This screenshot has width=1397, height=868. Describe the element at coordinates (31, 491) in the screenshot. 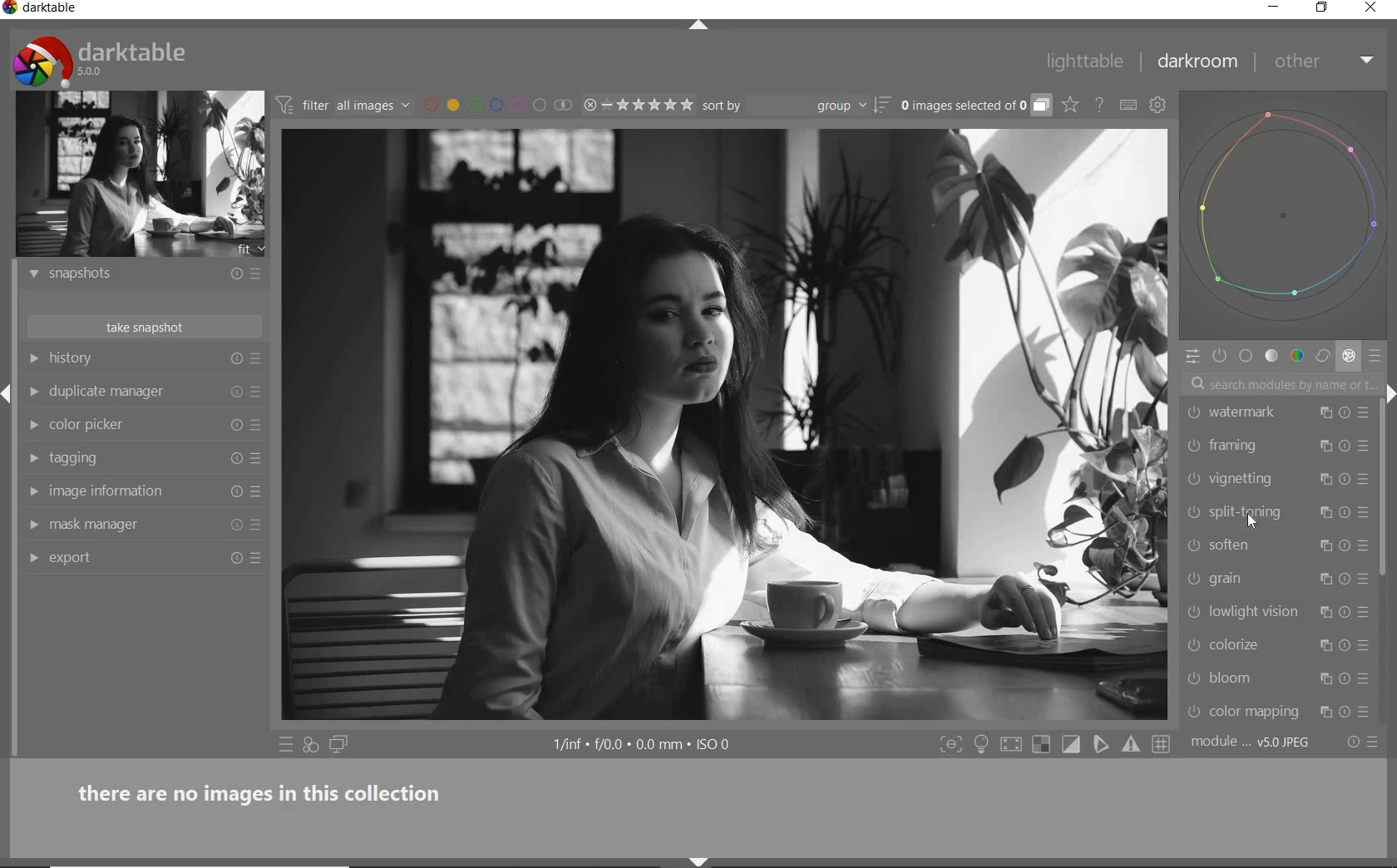

I see `show module` at that location.